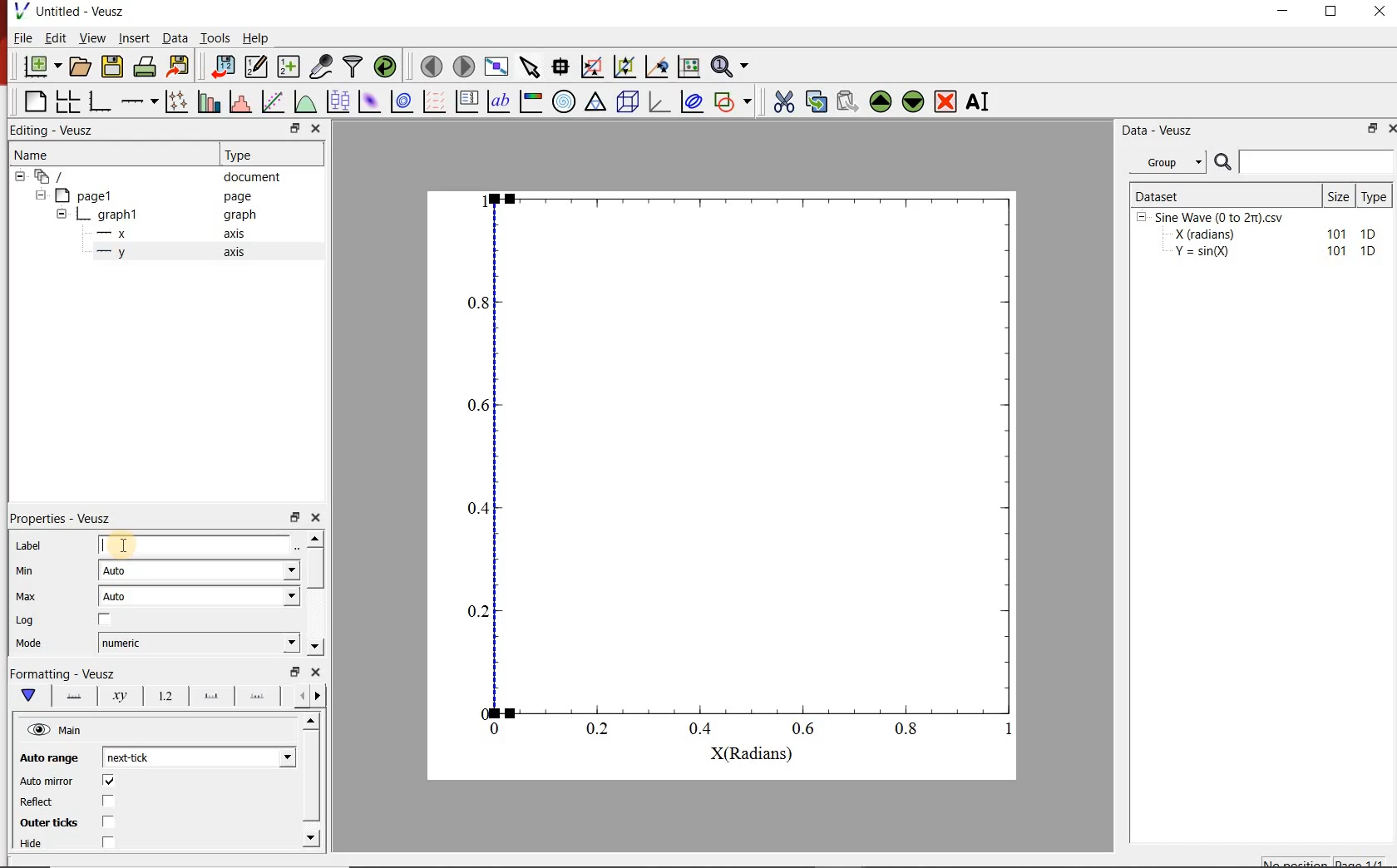  Describe the element at coordinates (71, 694) in the screenshot. I see `options` at that location.